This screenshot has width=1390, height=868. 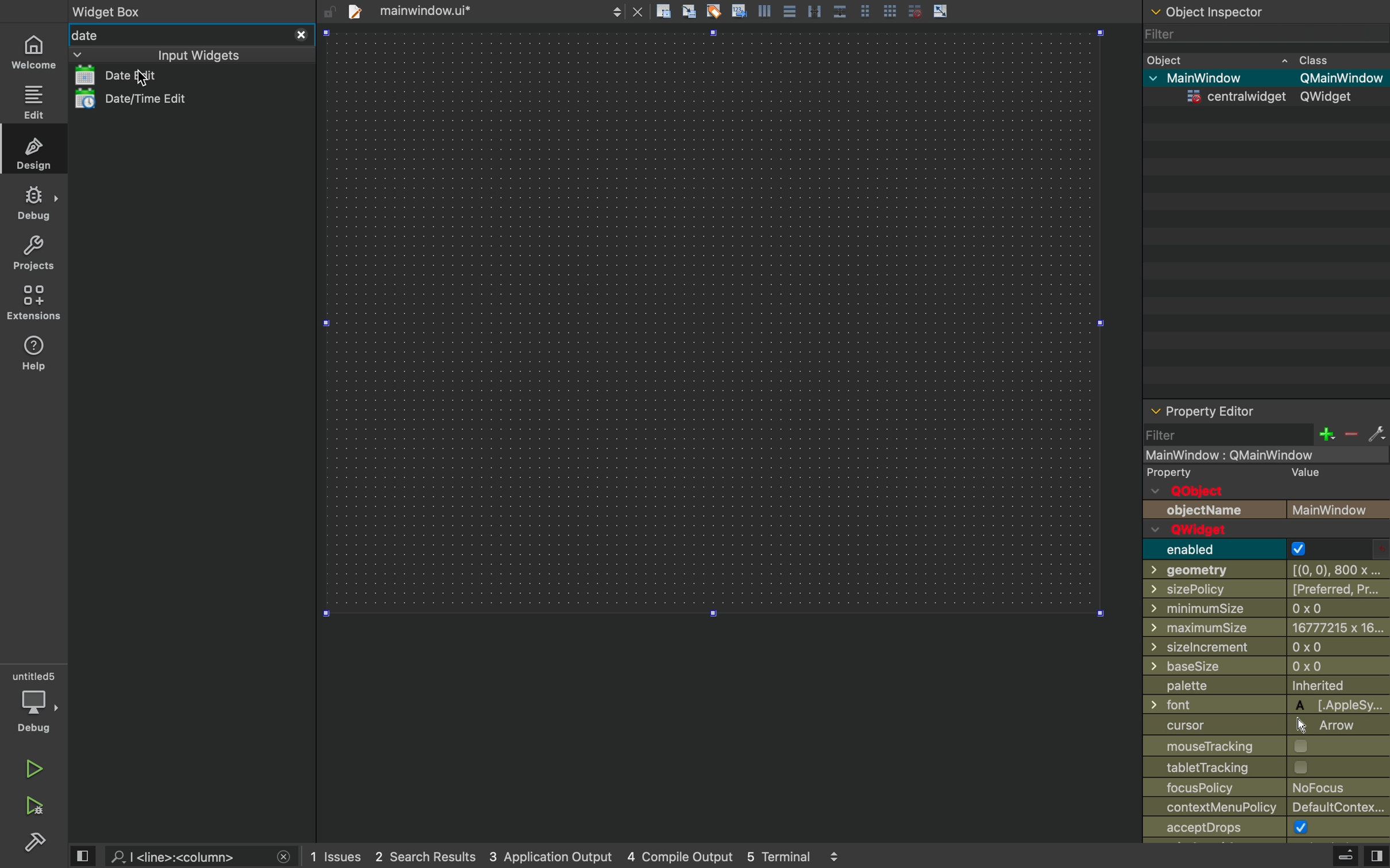 I want to click on align left, so click(x=763, y=10).